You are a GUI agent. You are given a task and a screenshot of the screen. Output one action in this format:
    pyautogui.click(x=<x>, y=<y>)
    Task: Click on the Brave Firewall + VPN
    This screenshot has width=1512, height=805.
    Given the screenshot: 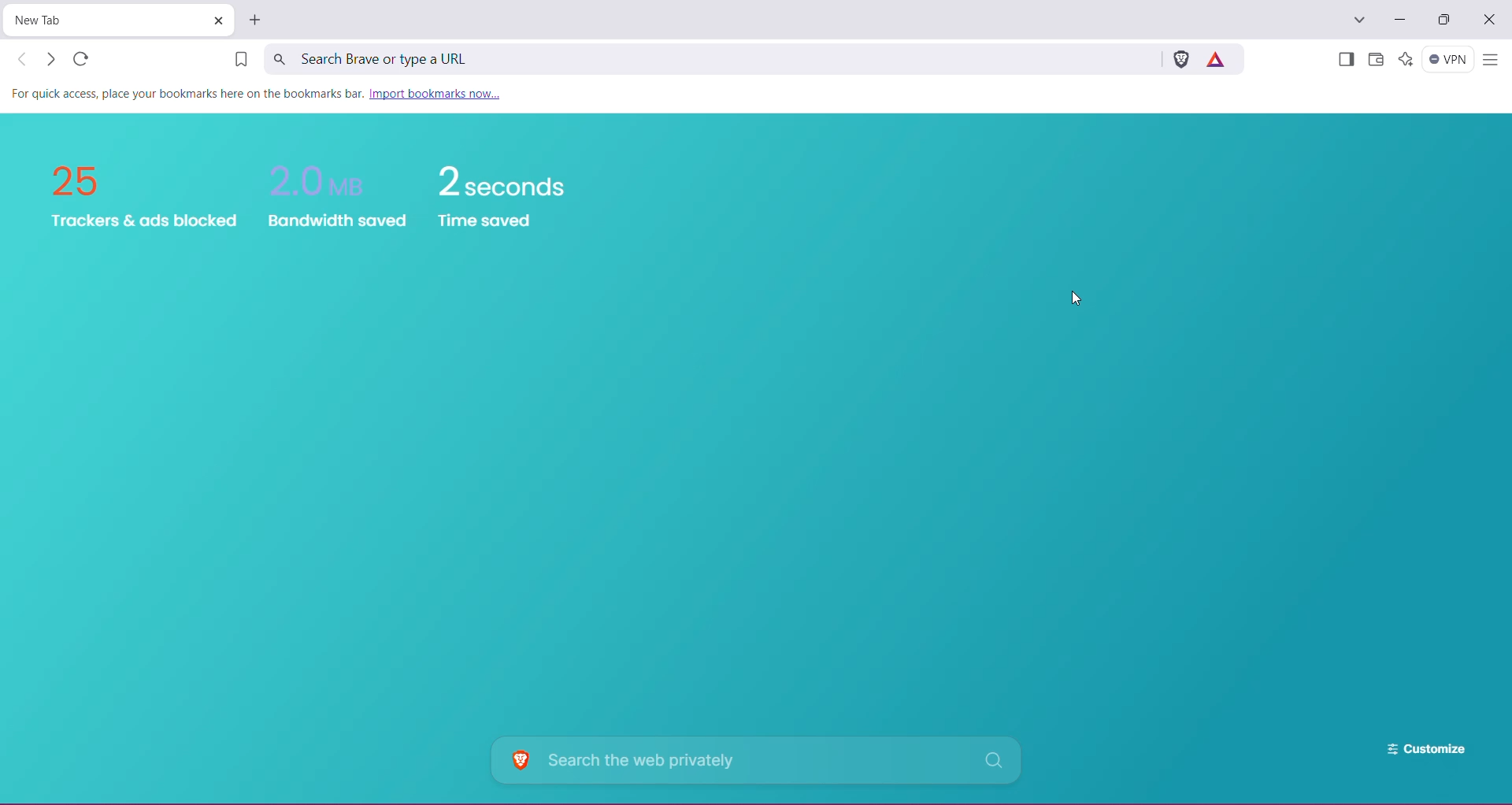 What is the action you would take?
    pyautogui.click(x=1448, y=59)
    